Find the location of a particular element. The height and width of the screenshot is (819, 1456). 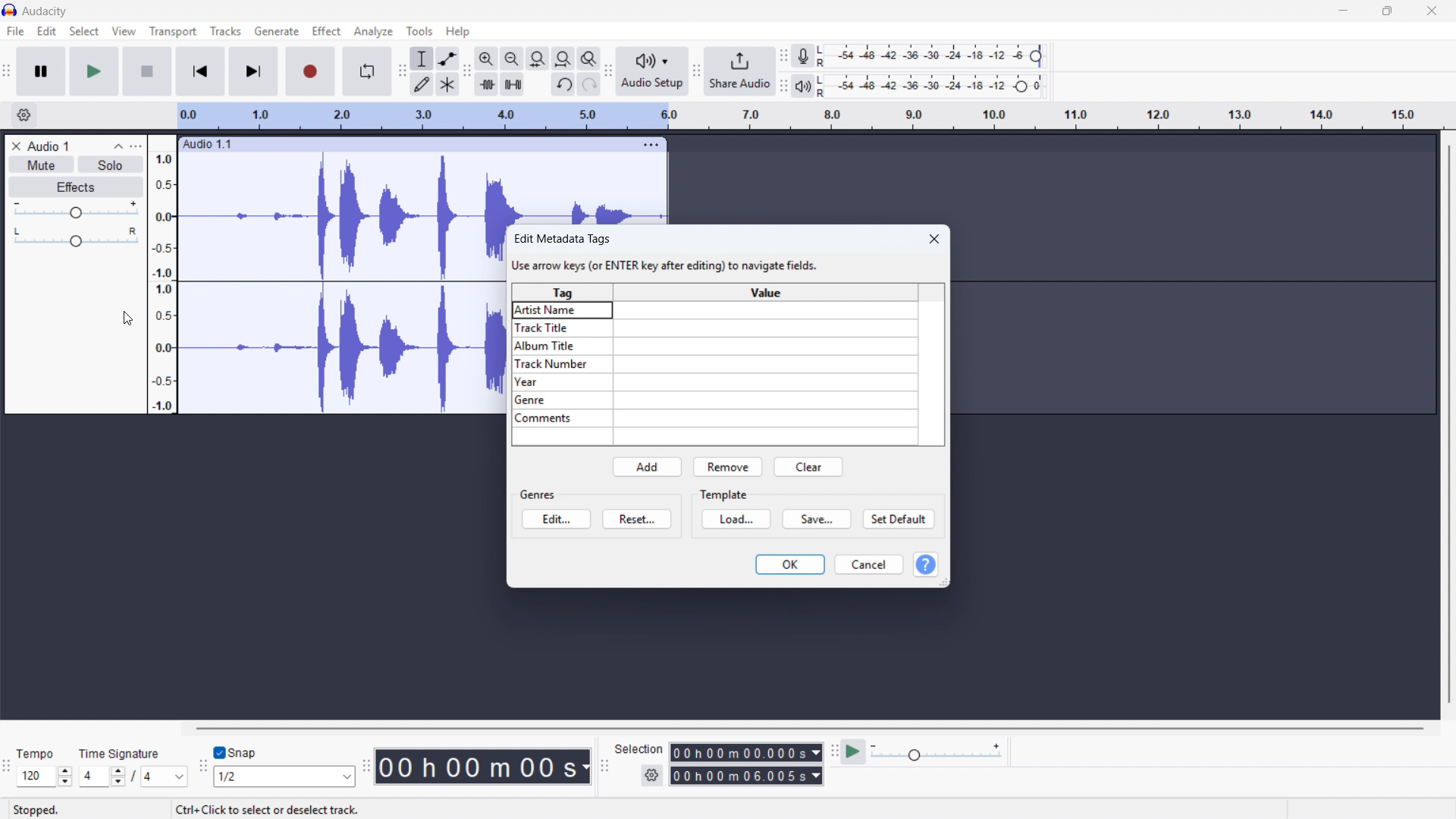

selection toolbar is located at coordinates (604, 767).